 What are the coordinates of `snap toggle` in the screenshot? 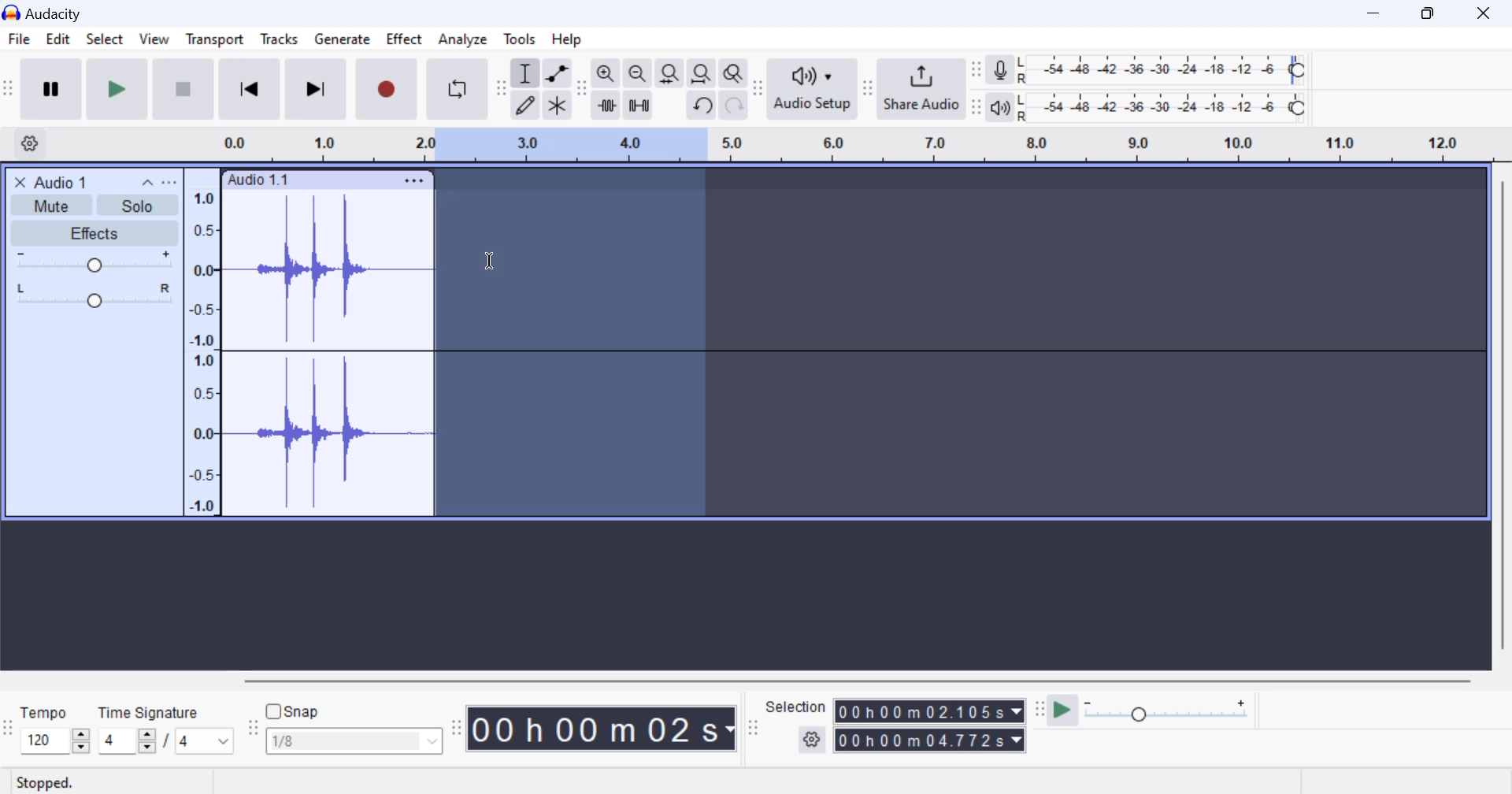 It's located at (301, 711).